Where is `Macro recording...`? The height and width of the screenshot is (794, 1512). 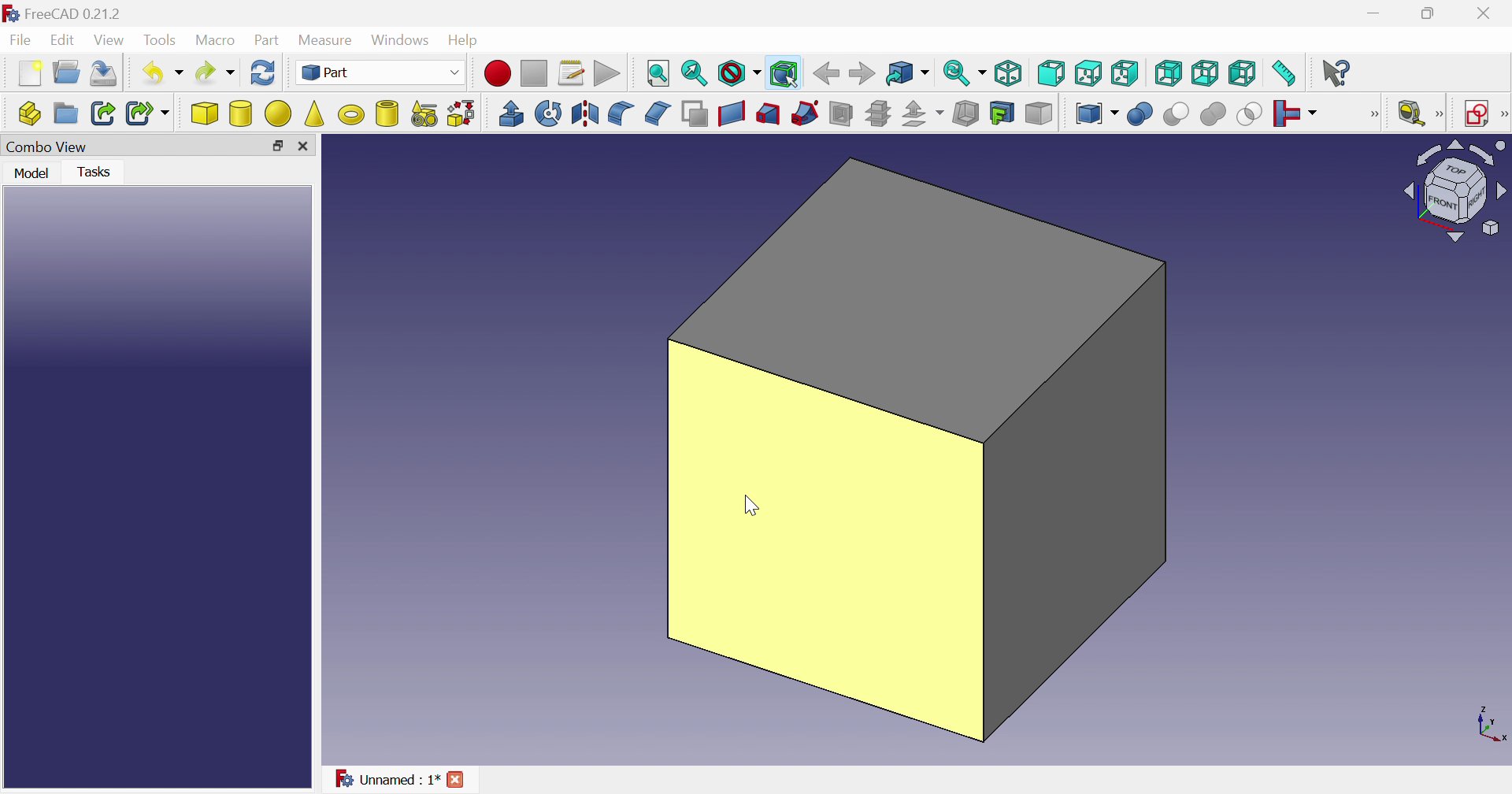 Macro recording... is located at coordinates (498, 73).